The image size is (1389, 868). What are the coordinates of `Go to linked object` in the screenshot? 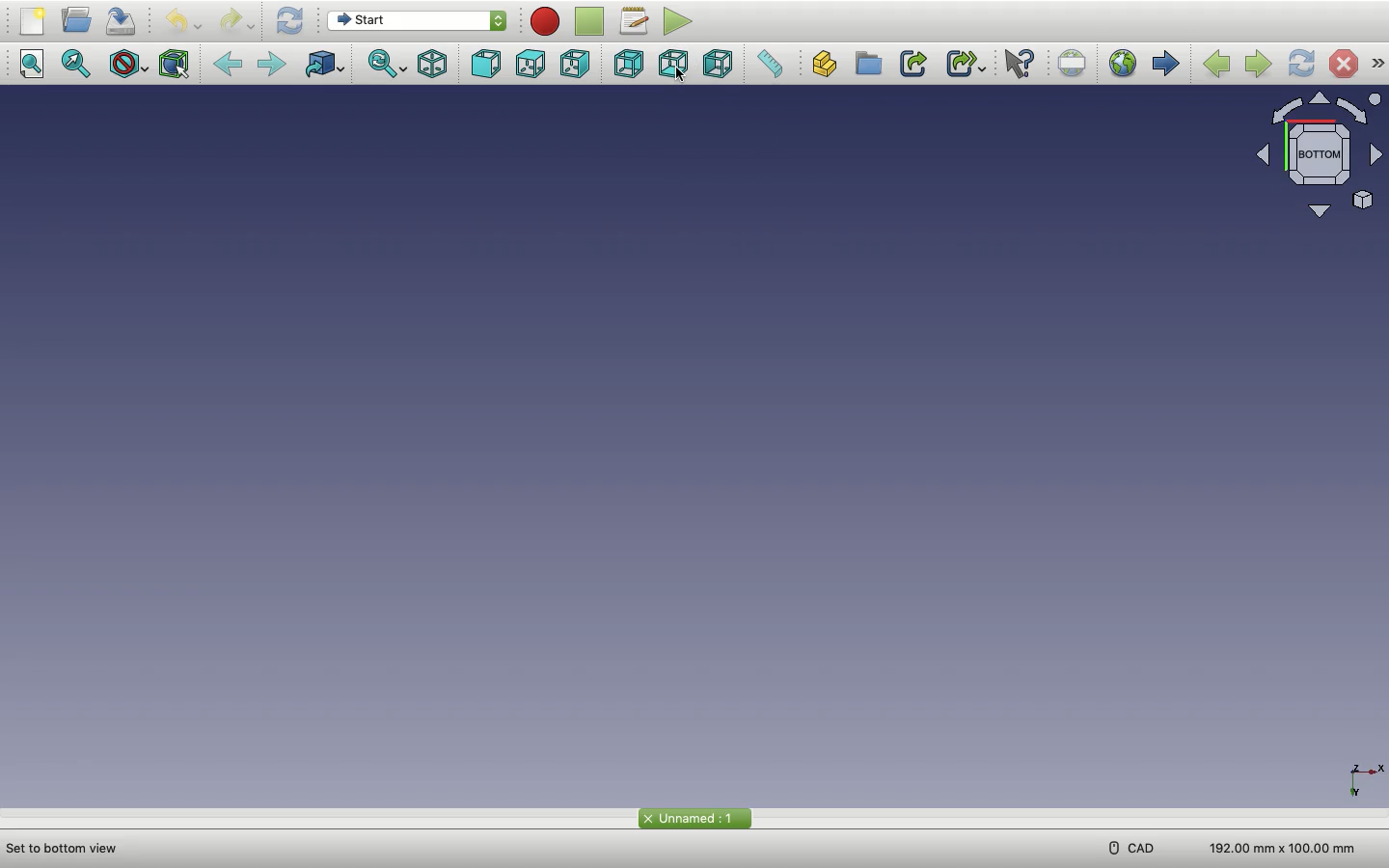 It's located at (328, 67).